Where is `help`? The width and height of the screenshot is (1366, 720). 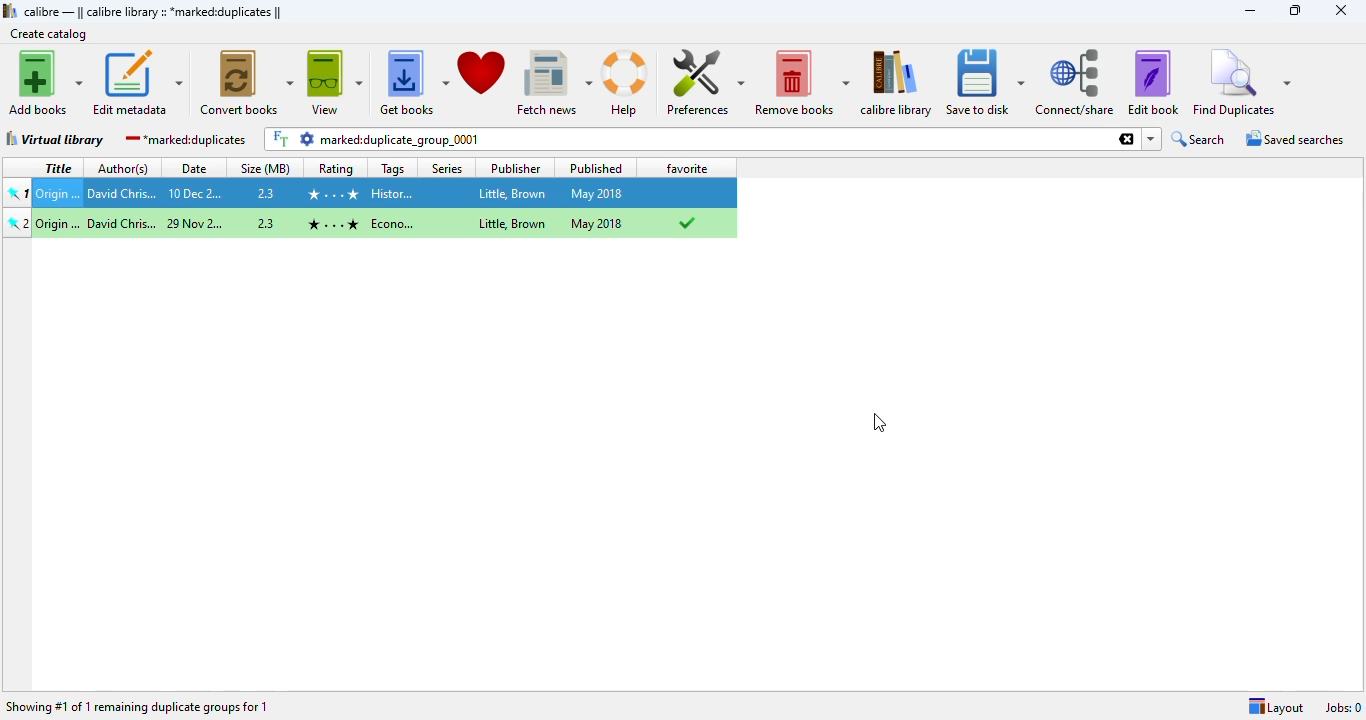
help is located at coordinates (624, 83).